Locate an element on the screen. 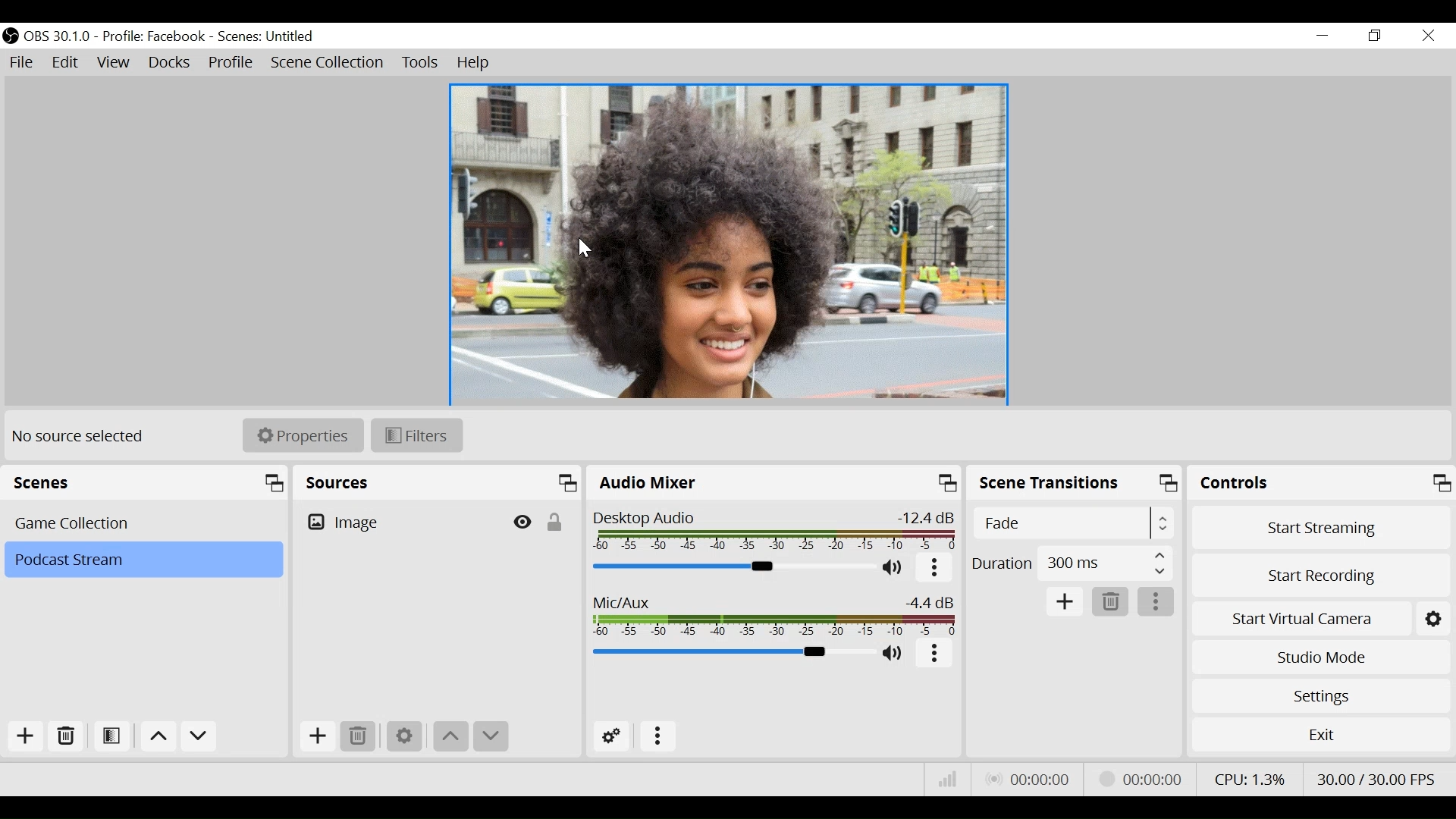 The width and height of the screenshot is (1456, 819). Live Status is located at coordinates (1029, 781).